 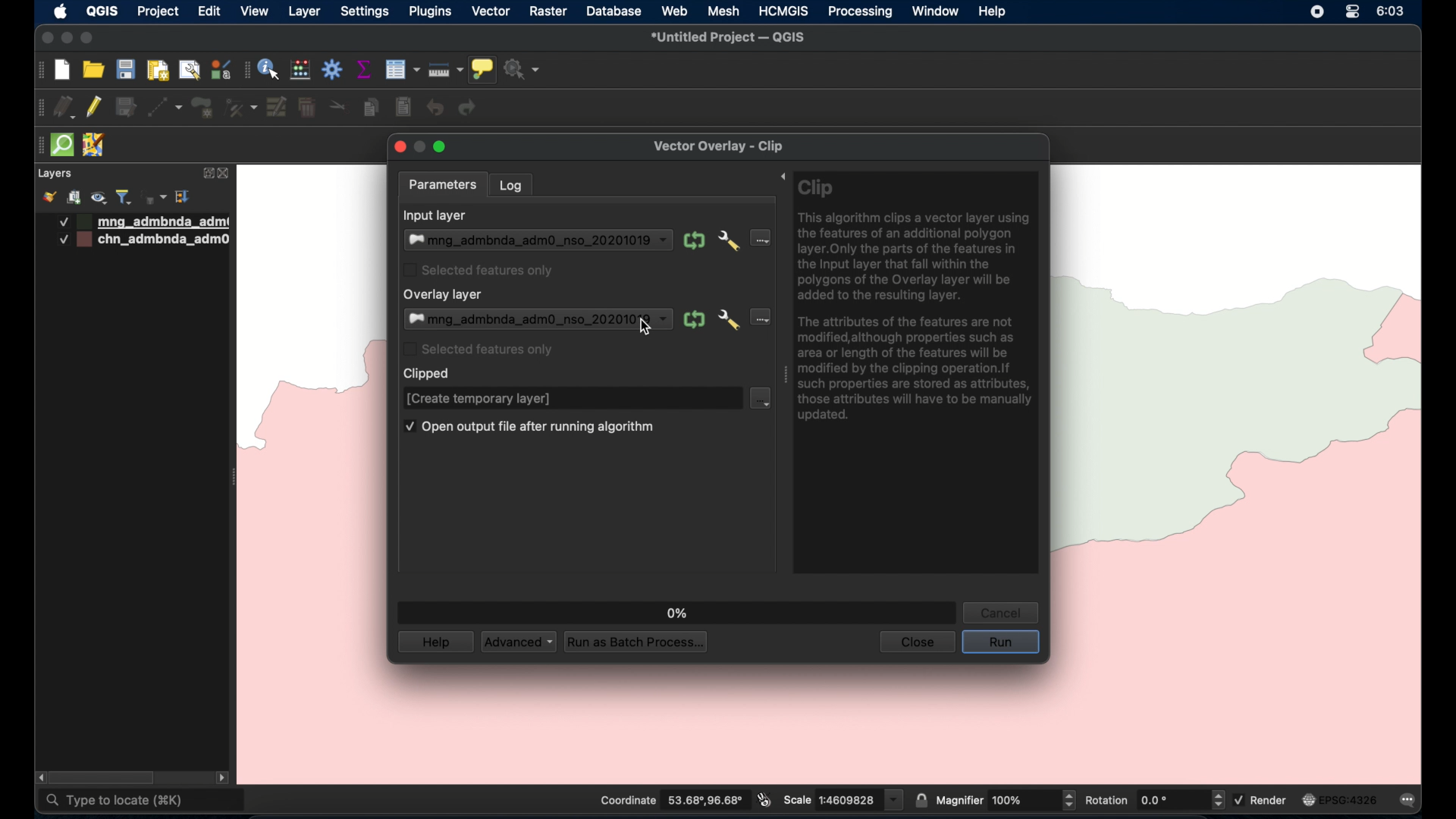 What do you see at coordinates (165, 108) in the screenshot?
I see `digitize with segment` at bounding box center [165, 108].